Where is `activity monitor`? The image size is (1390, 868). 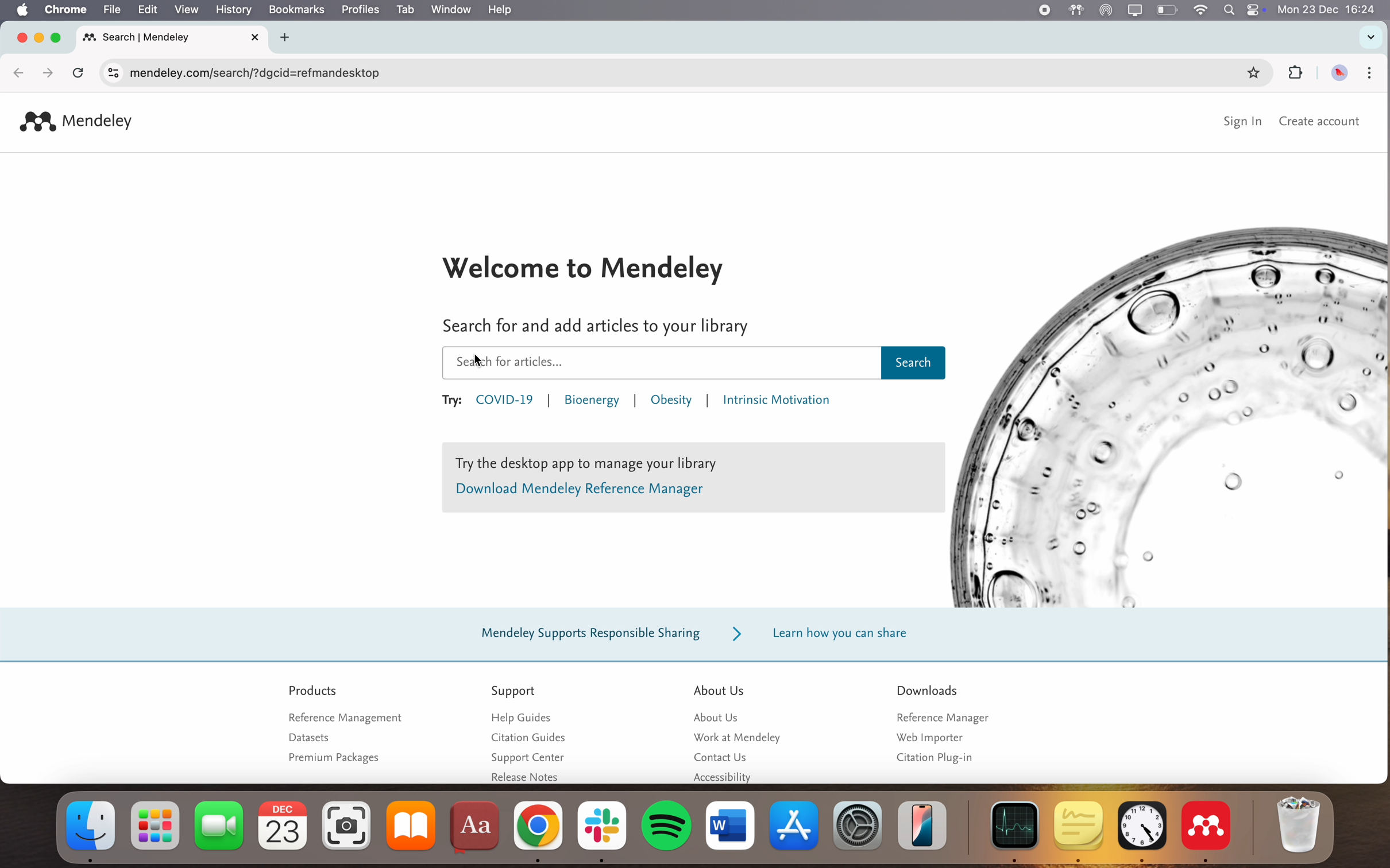
activity monitor is located at coordinates (1012, 831).